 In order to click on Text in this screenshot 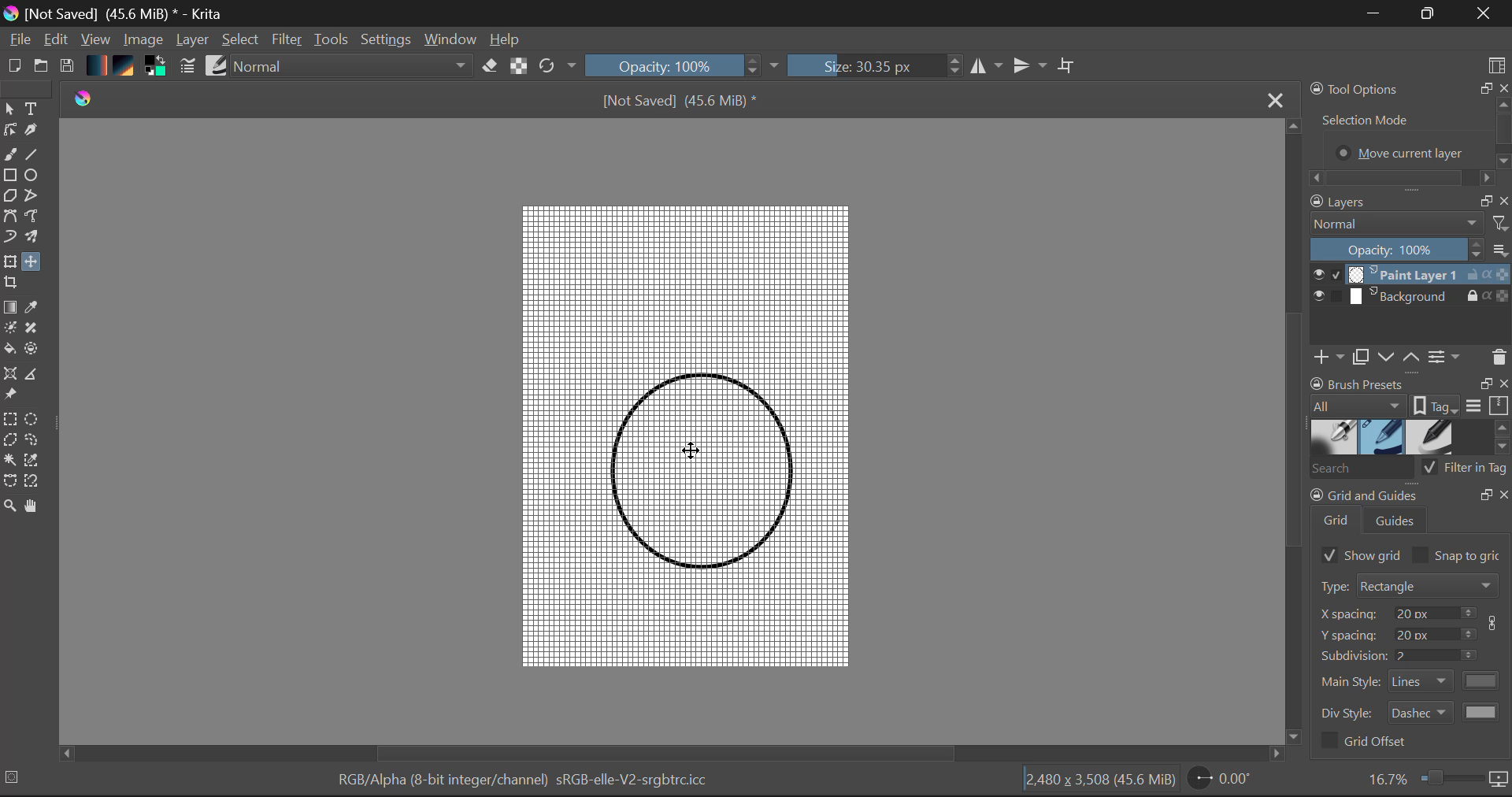, I will do `click(32, 108)`.